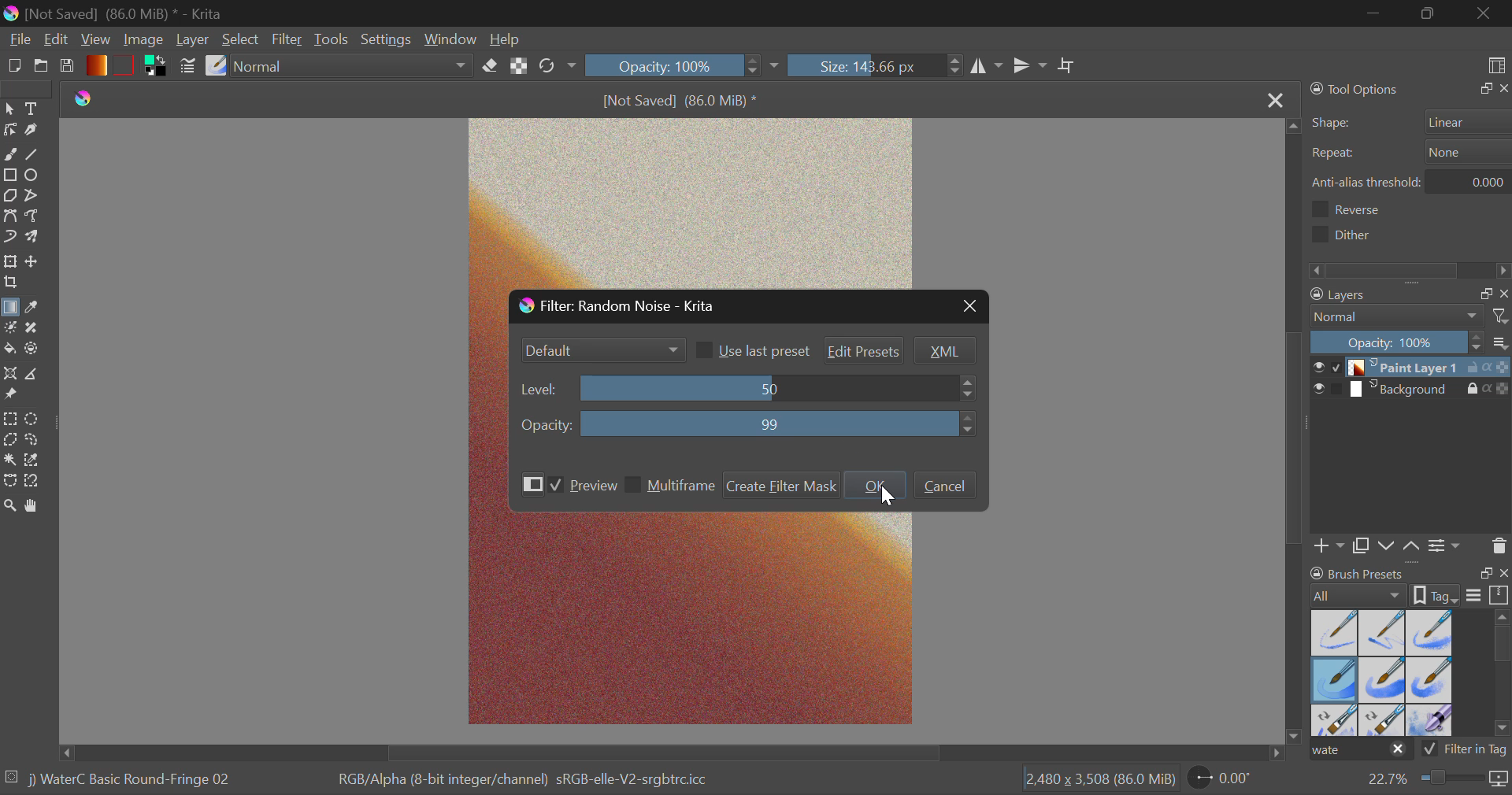  What do you see at coordinates (1356, 89) in the screenshot?
I see `Tool Options` at bounding box center [1356, 89].